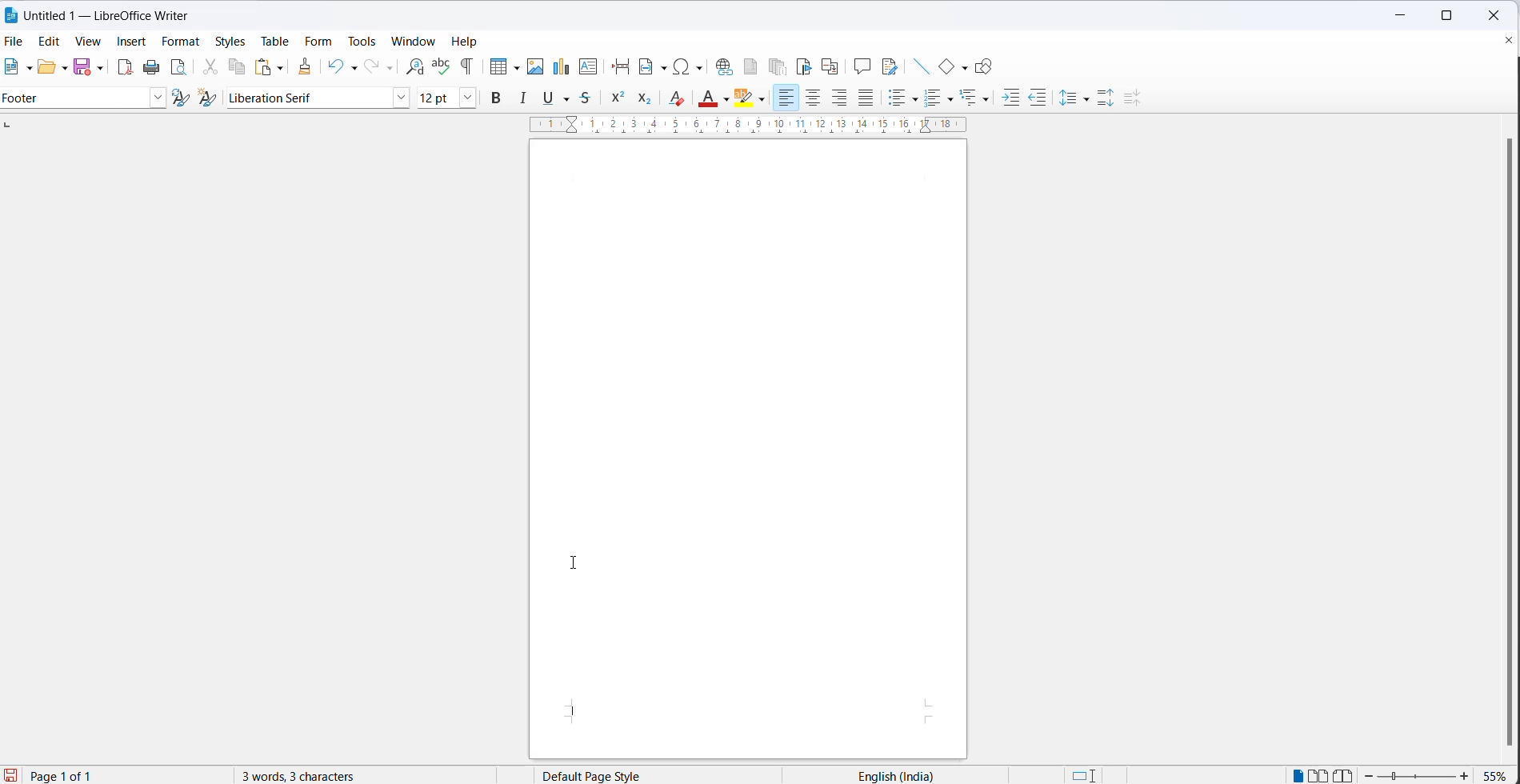  Describe the element at coordinates (1040, 98) in the screenshot. I see `decrease indent` at that location.